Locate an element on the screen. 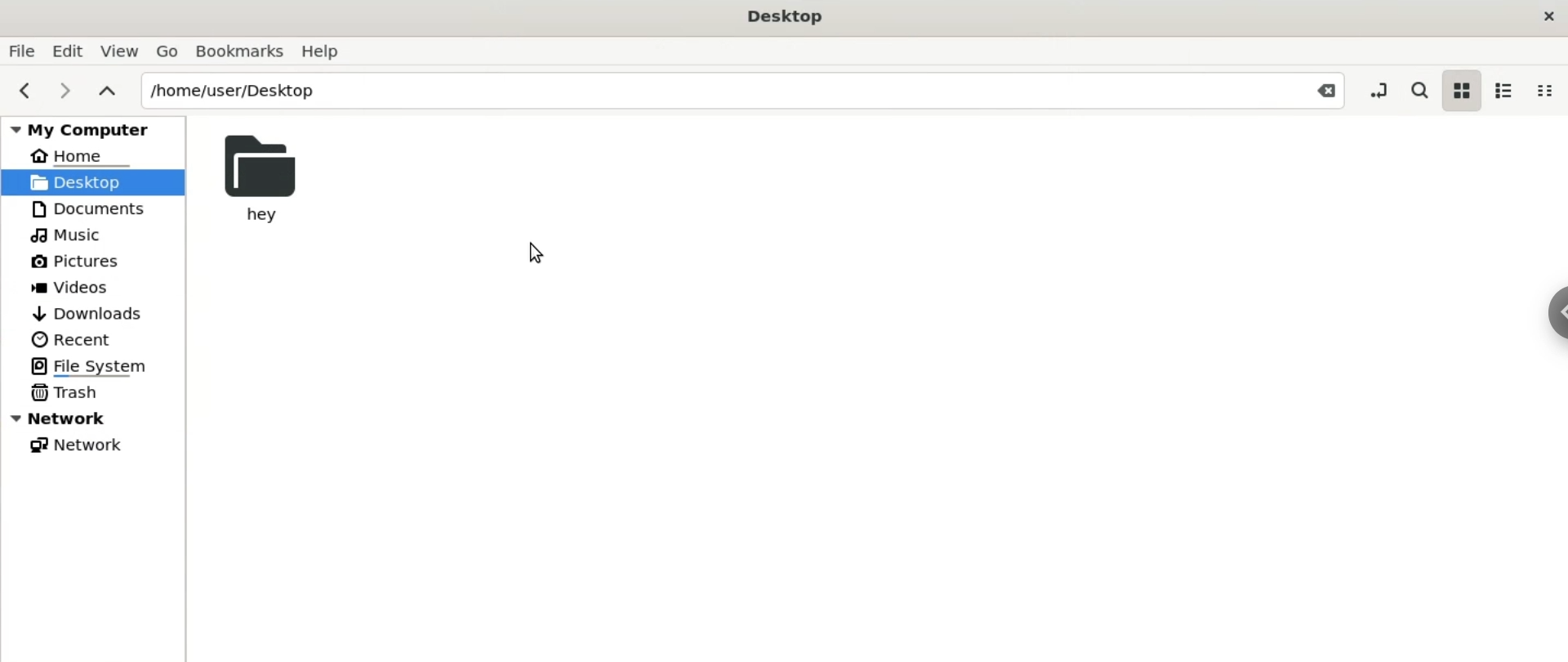 This screenshot has width=1568, height=662. next is located at coordinates (67, 94).